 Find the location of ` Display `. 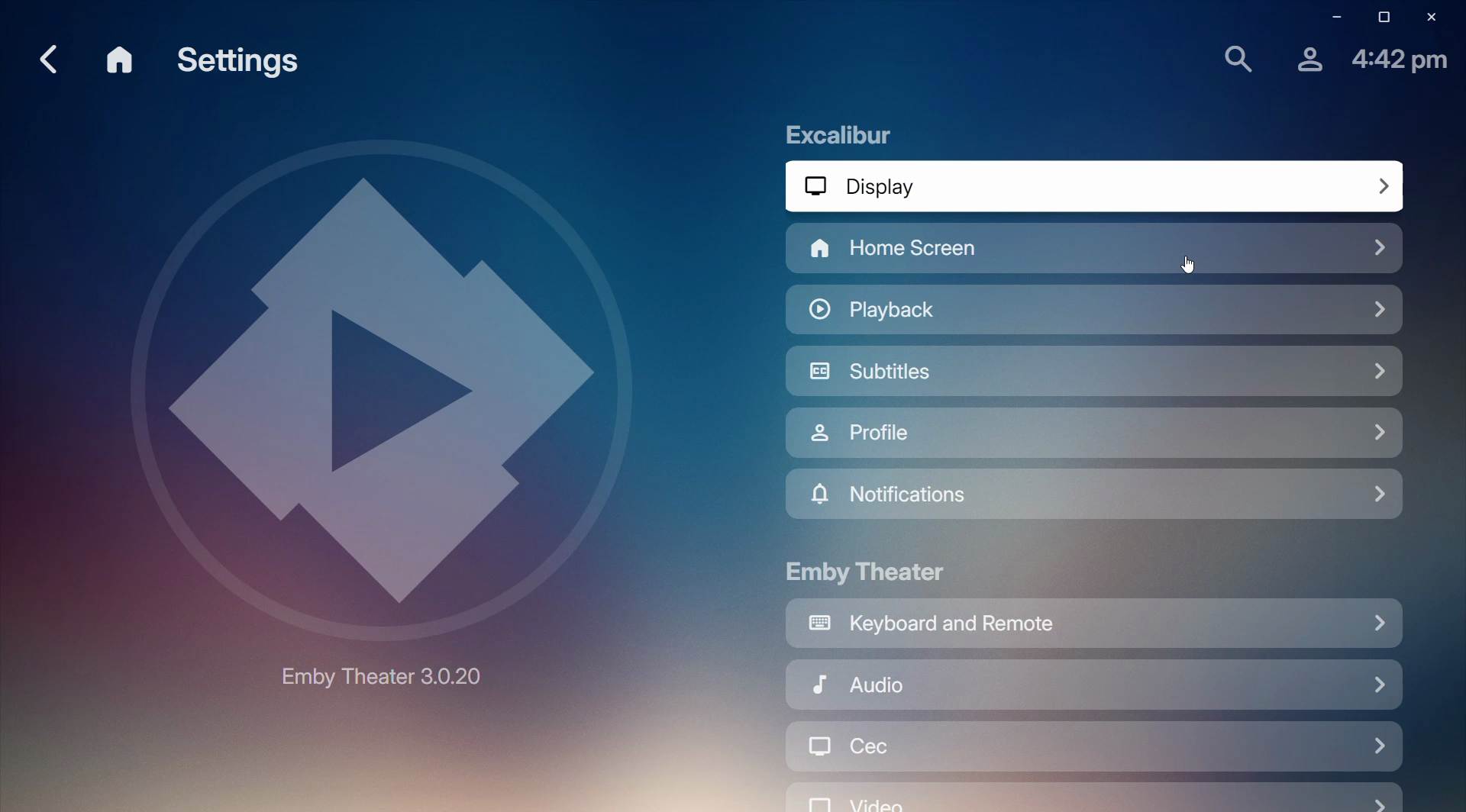

 Display  is located at coordinates (1092, 186).